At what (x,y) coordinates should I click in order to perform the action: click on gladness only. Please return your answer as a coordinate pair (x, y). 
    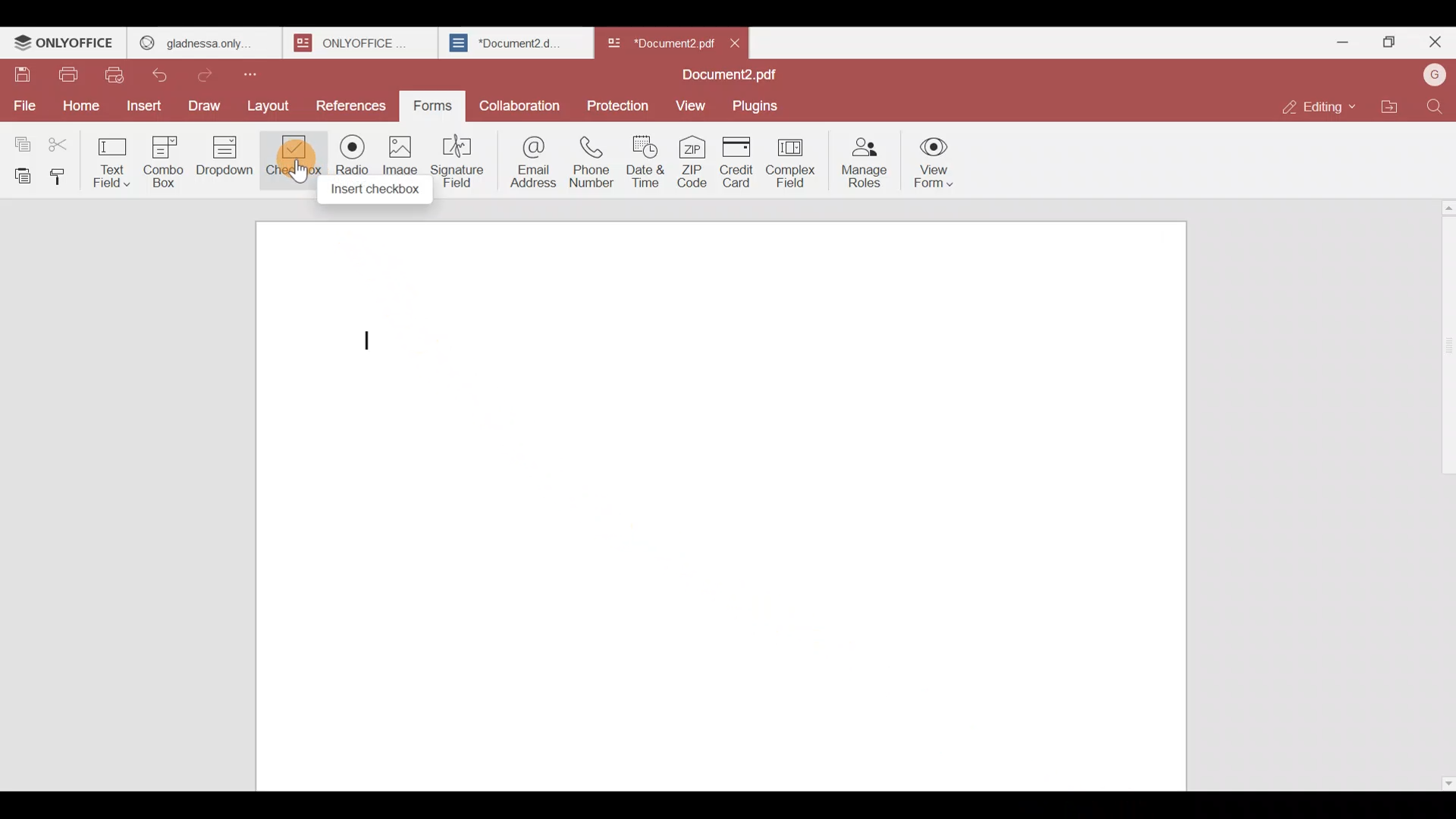
    Looking at the image, I should click on (203, 39).